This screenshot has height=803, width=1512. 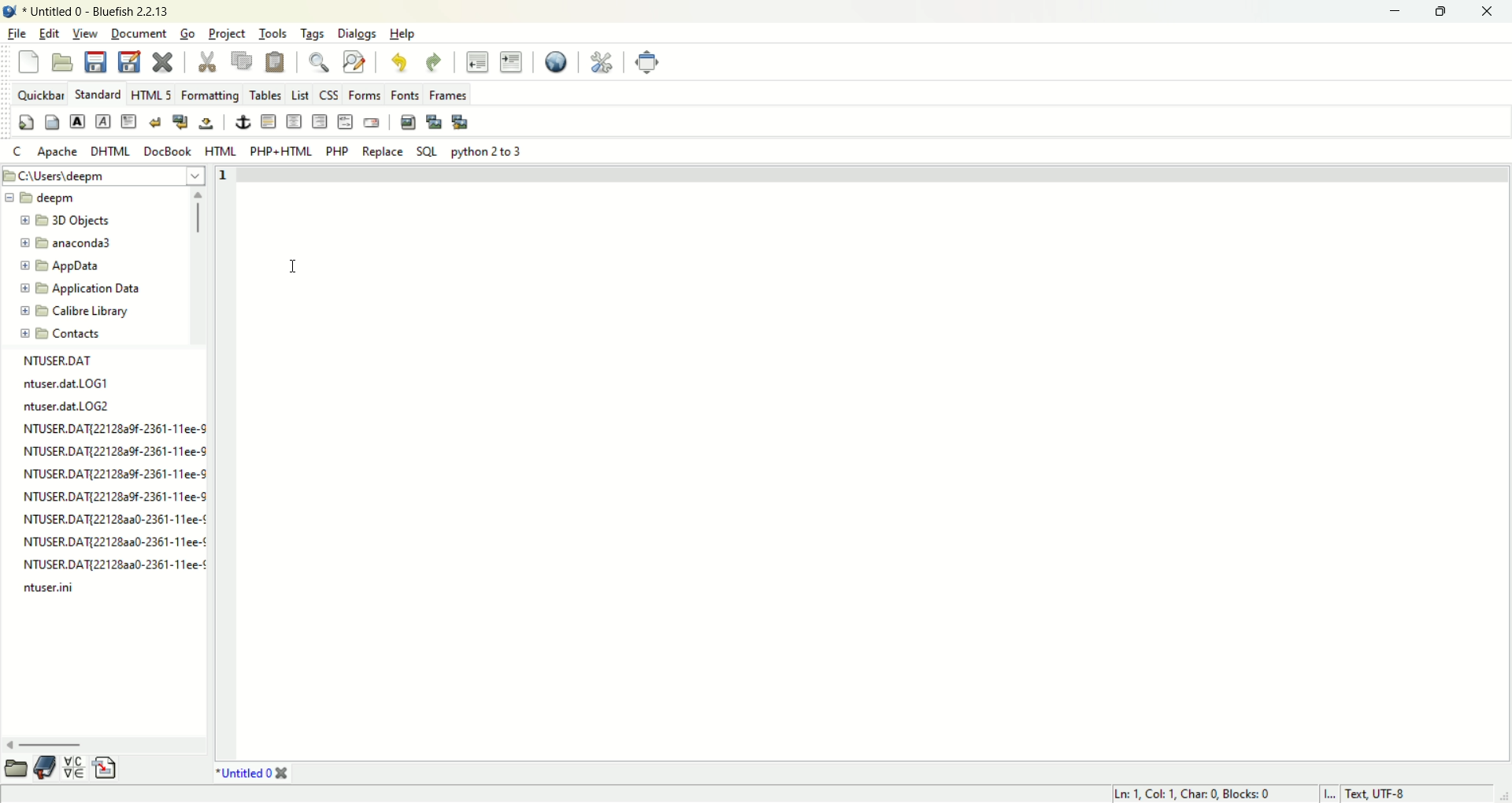 I want to click on strong, so click(x=77, y=120).